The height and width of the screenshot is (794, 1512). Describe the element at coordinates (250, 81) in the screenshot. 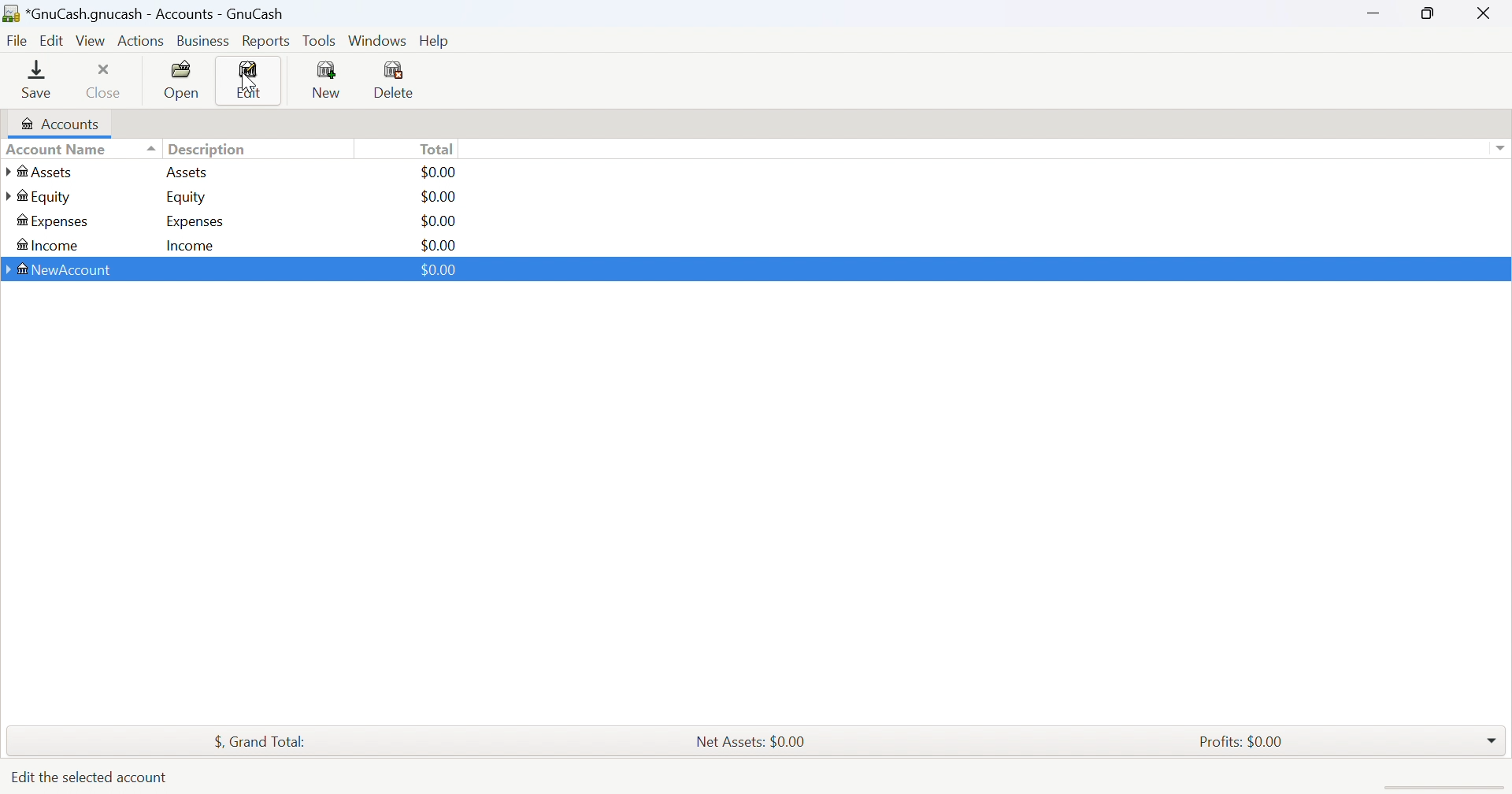

I see `Edit` at that location.